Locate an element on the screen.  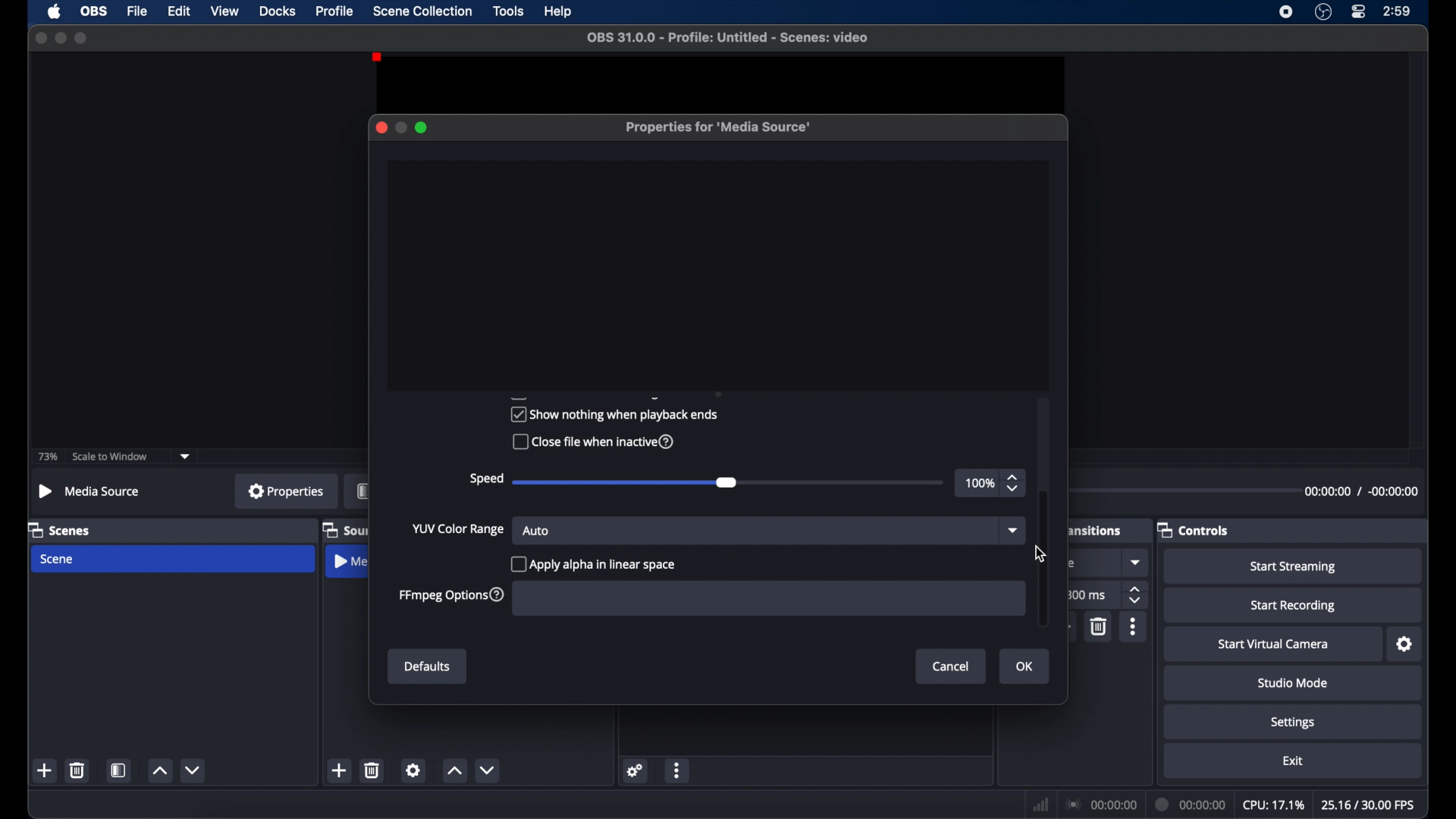
decrement is located at coordinates (487, 771).